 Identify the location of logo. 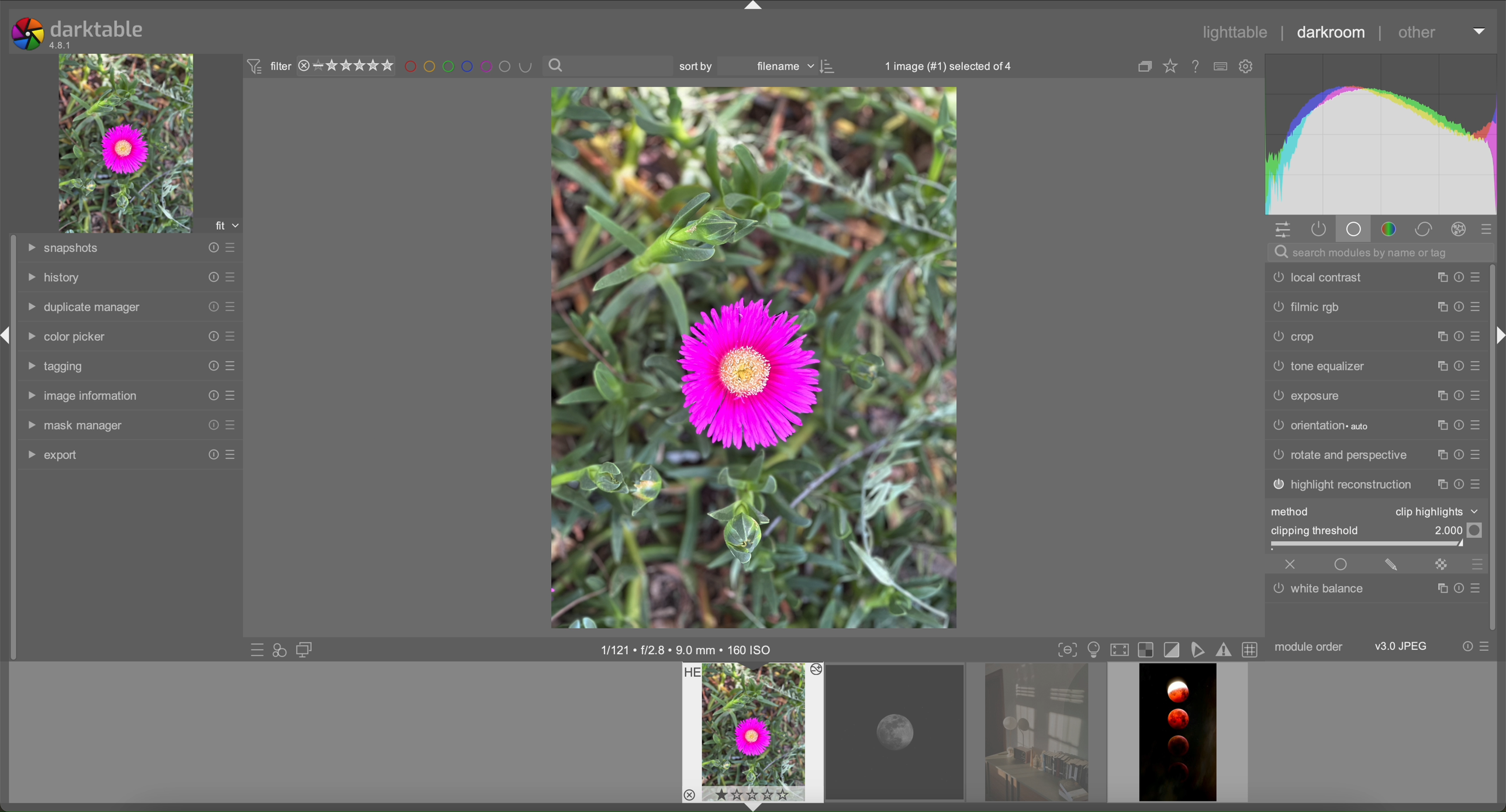
(27, 34).